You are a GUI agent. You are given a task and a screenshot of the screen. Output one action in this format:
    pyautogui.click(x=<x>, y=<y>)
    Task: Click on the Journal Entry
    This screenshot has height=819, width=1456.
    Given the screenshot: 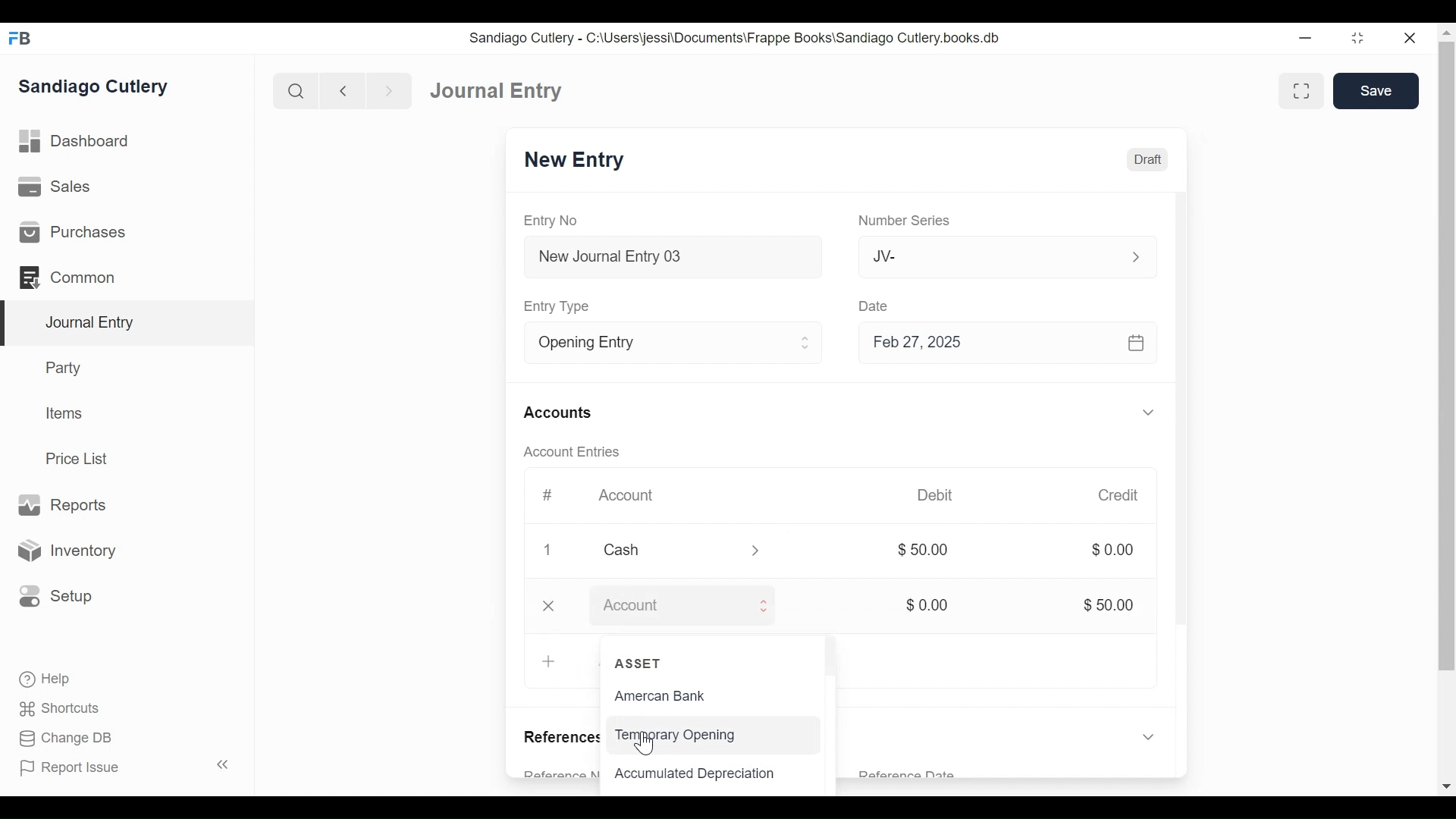 What is the action you would take?
    pyautogui.click(x=498, y=91)
    